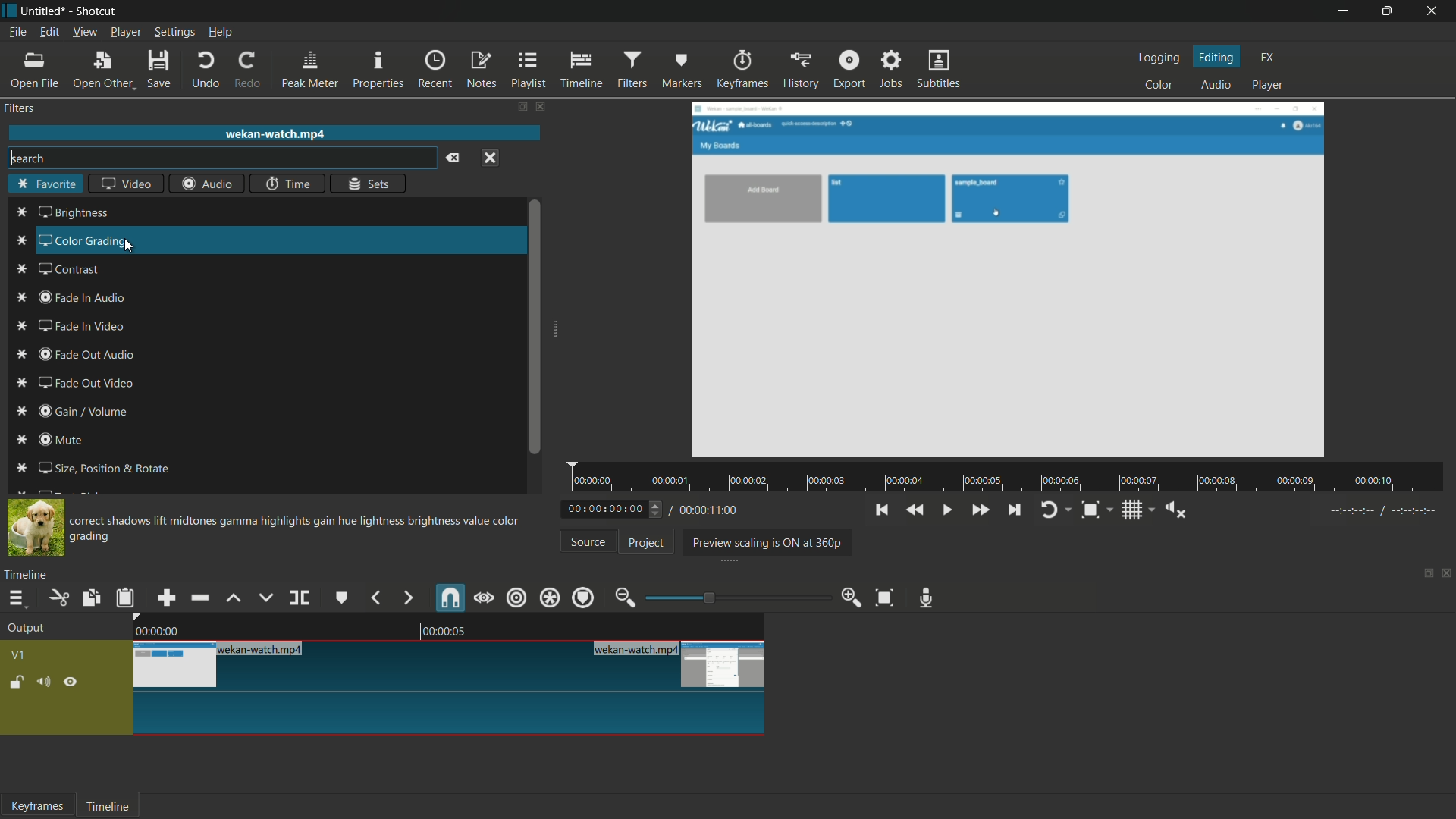  Describe the element at coordinates (19, 108) in the screenshot. I see `filters` at that location.